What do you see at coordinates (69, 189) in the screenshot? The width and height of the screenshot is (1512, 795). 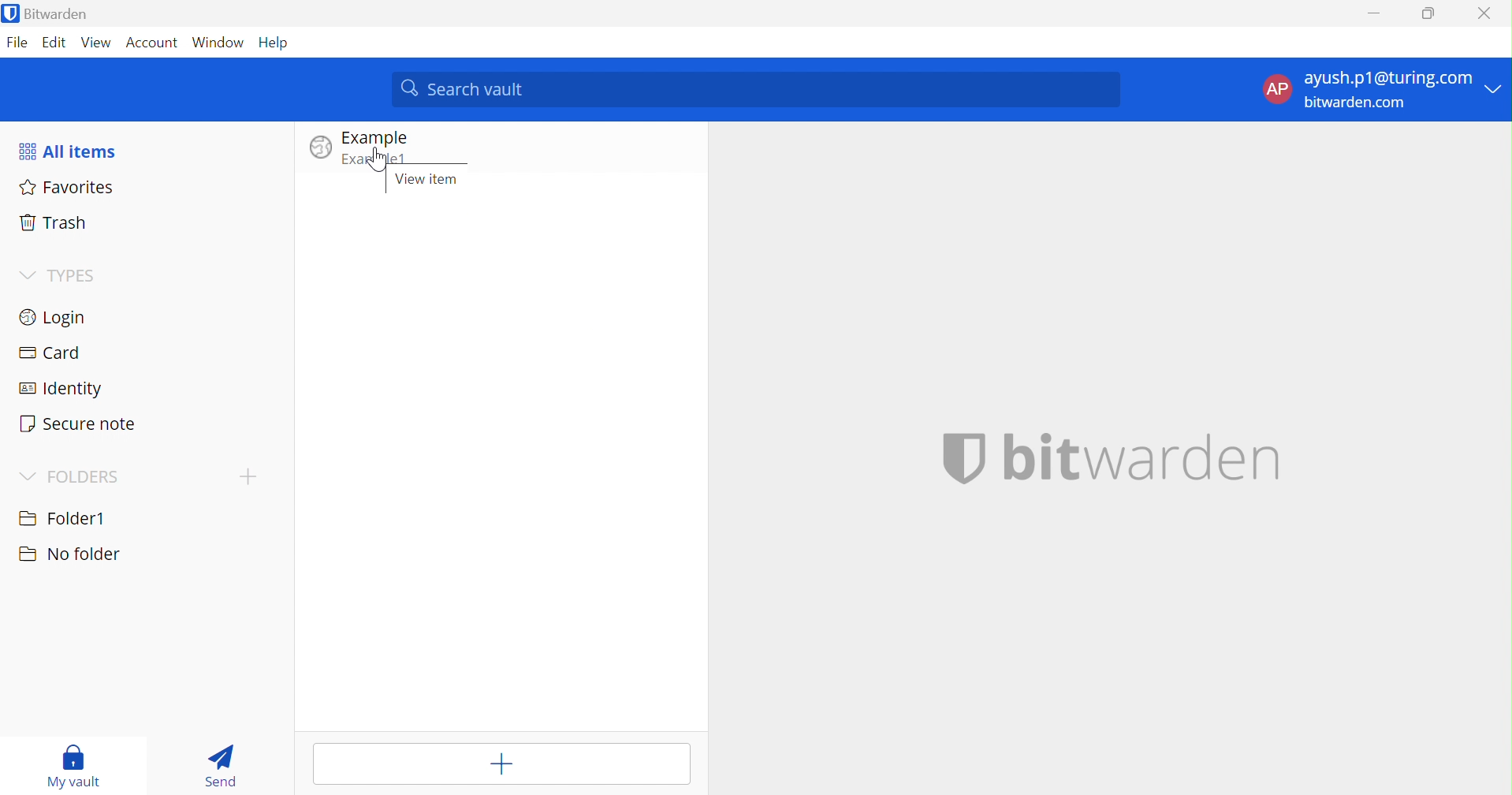 I see `Favorites` at bounding box center [69, 189].